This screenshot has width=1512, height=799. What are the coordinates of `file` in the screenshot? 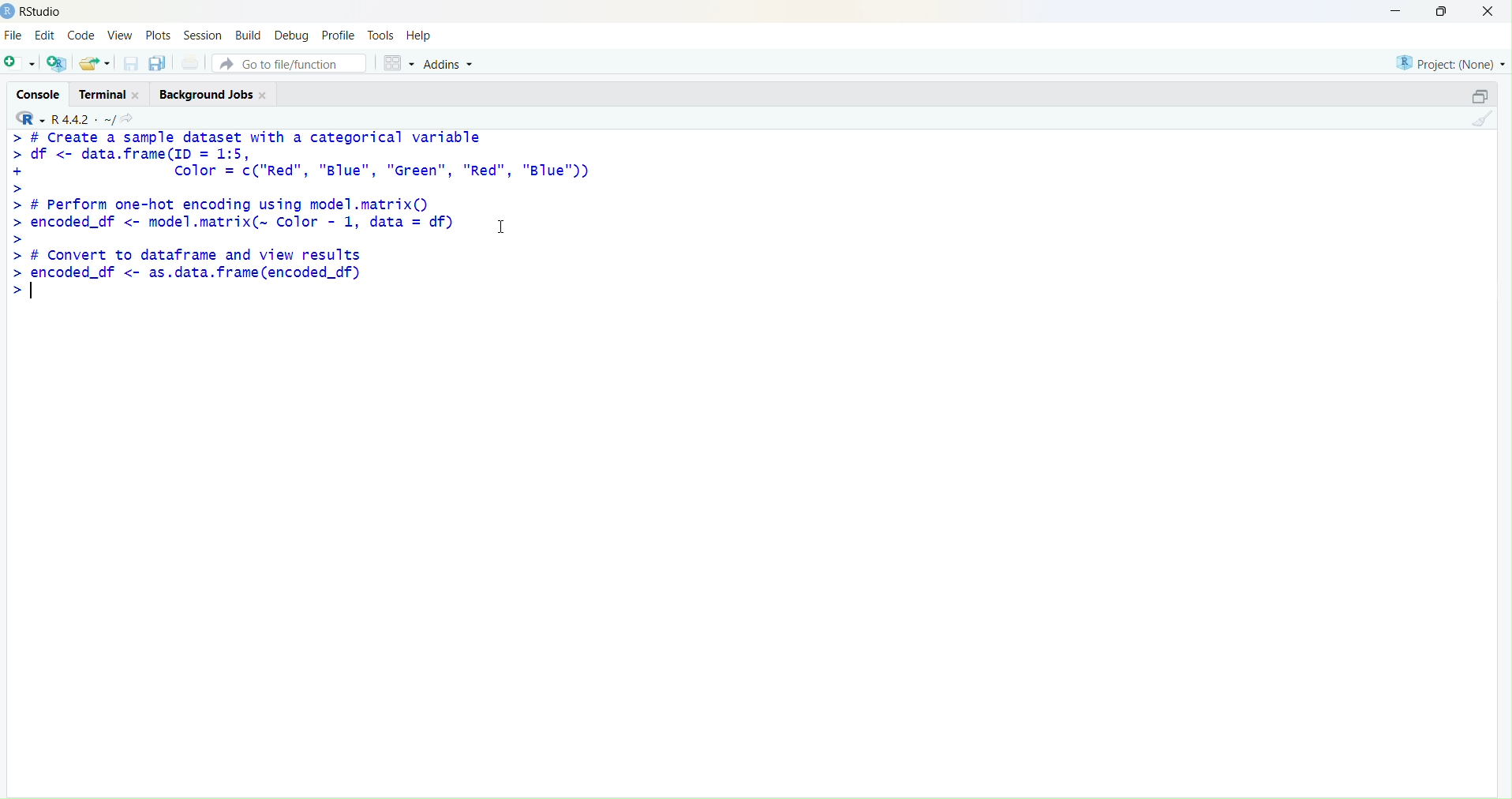 It's located at (13, 35).